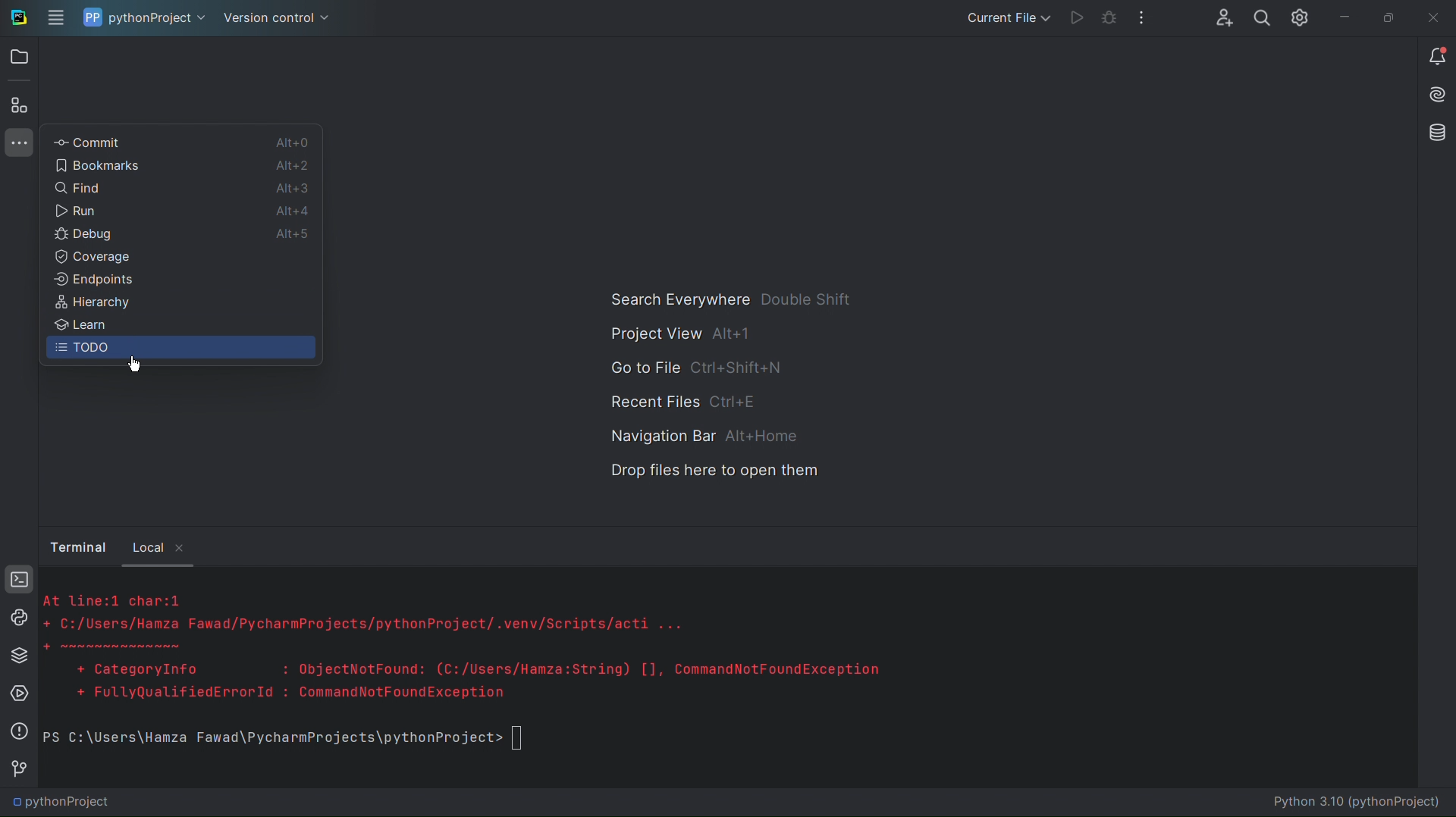 This screenshot has height=817, width=1456. Describe the element at coordinates (184, 549) in the screenshot. I see `close` at that location.